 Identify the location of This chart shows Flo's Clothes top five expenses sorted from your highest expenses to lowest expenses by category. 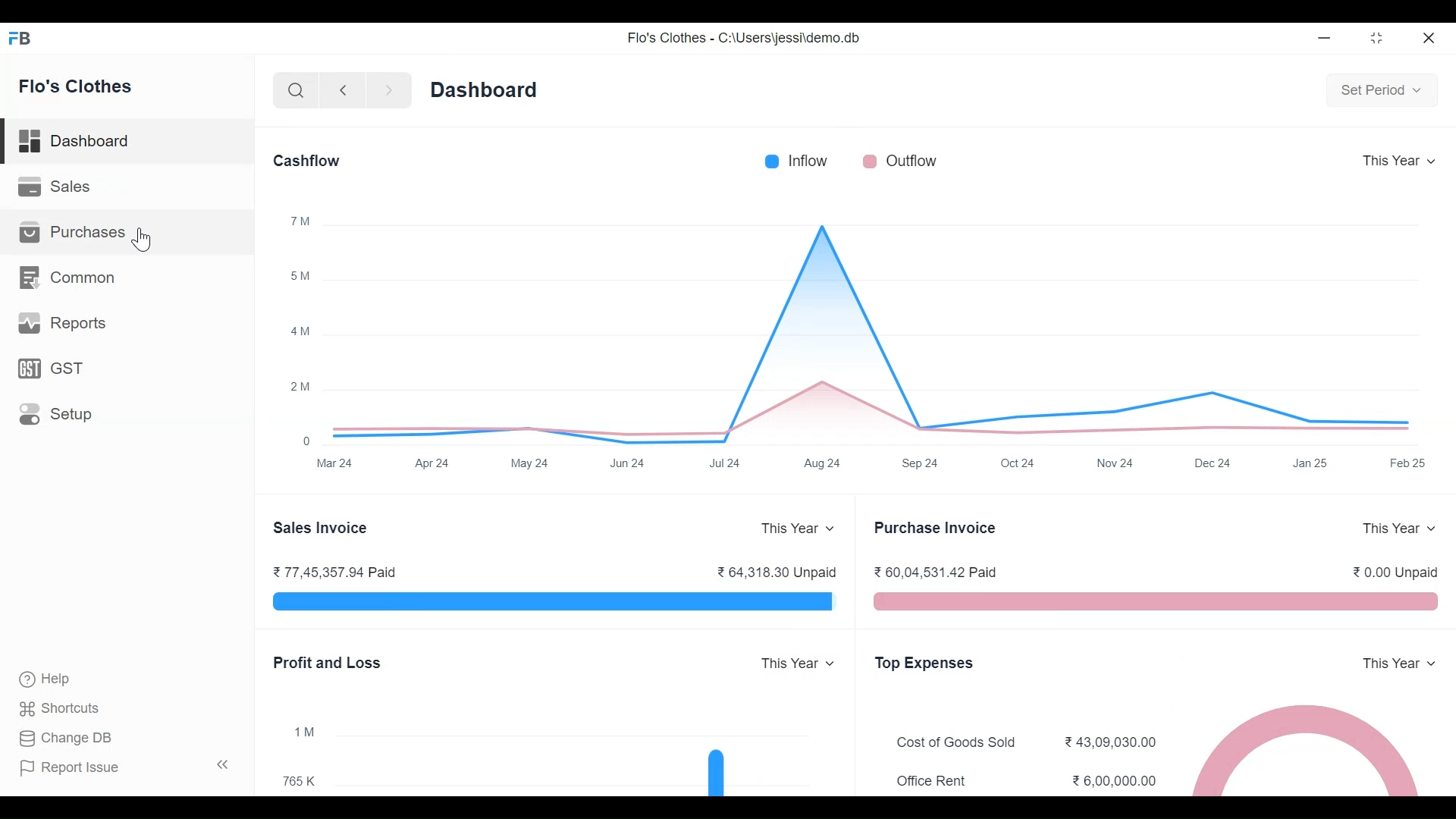
(1307, 748).